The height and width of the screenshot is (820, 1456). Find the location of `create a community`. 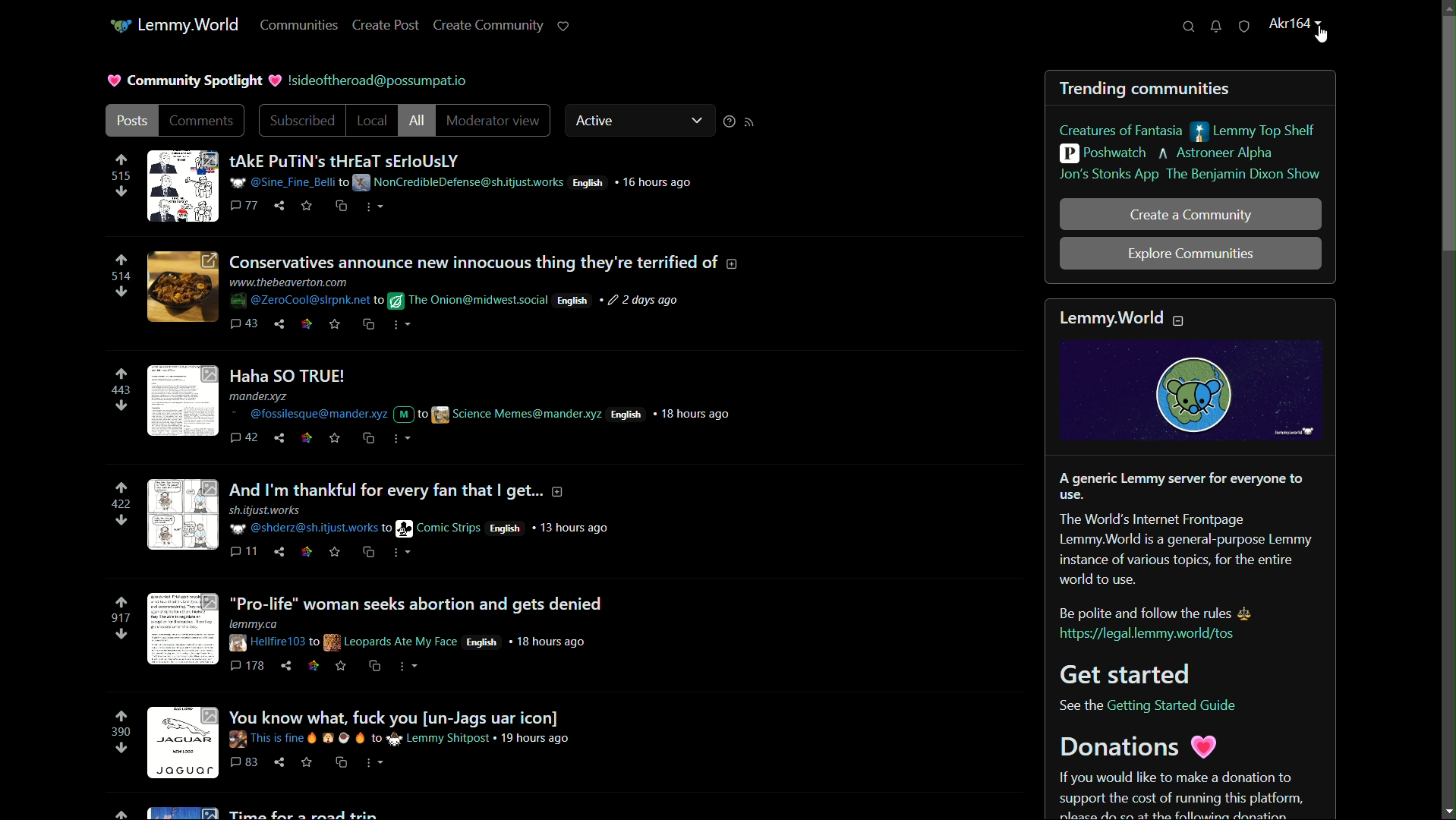

create a community is located at coordinates (1193, 216).